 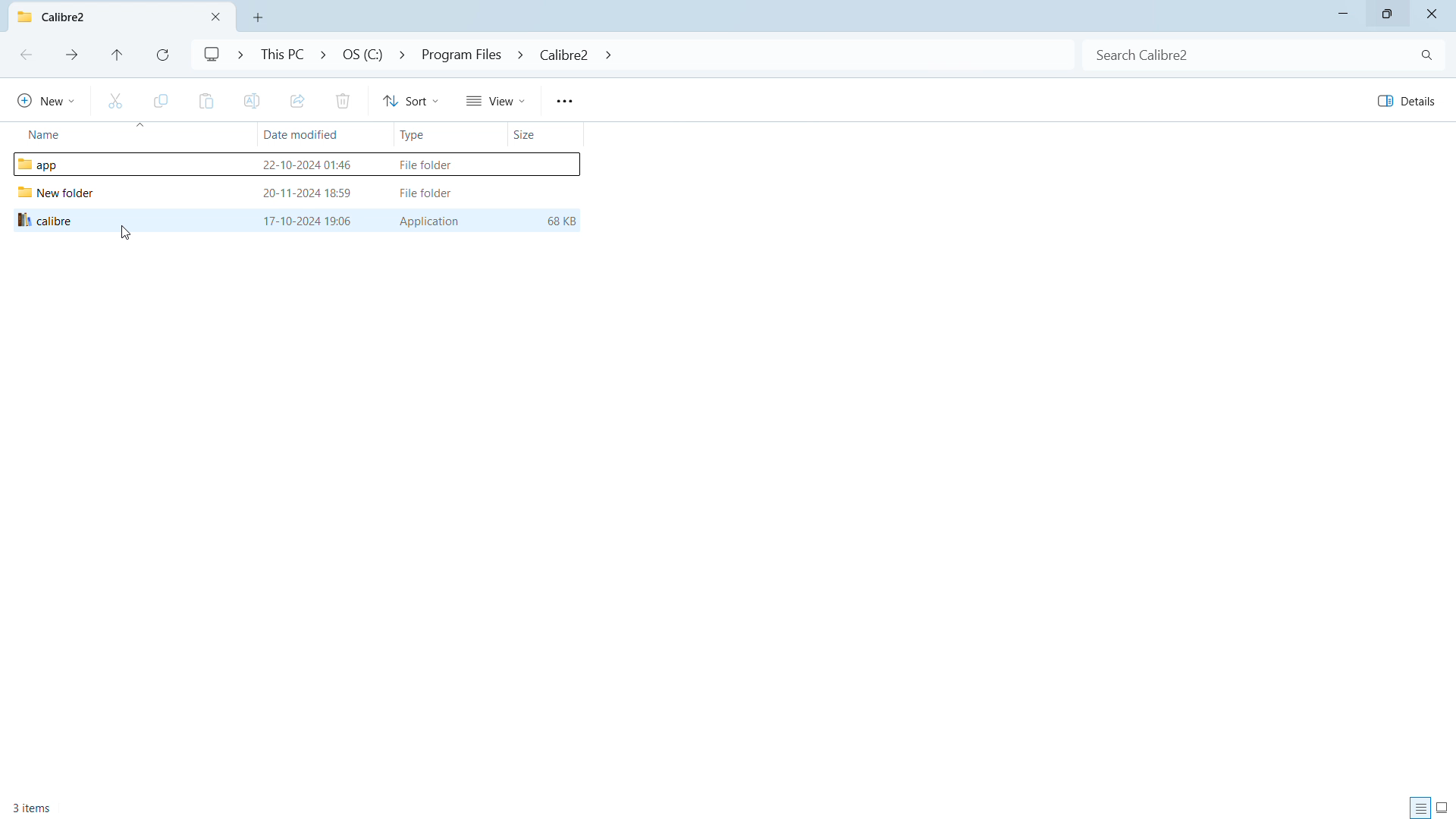 I want to click on folders, so click(x=131, y=190).